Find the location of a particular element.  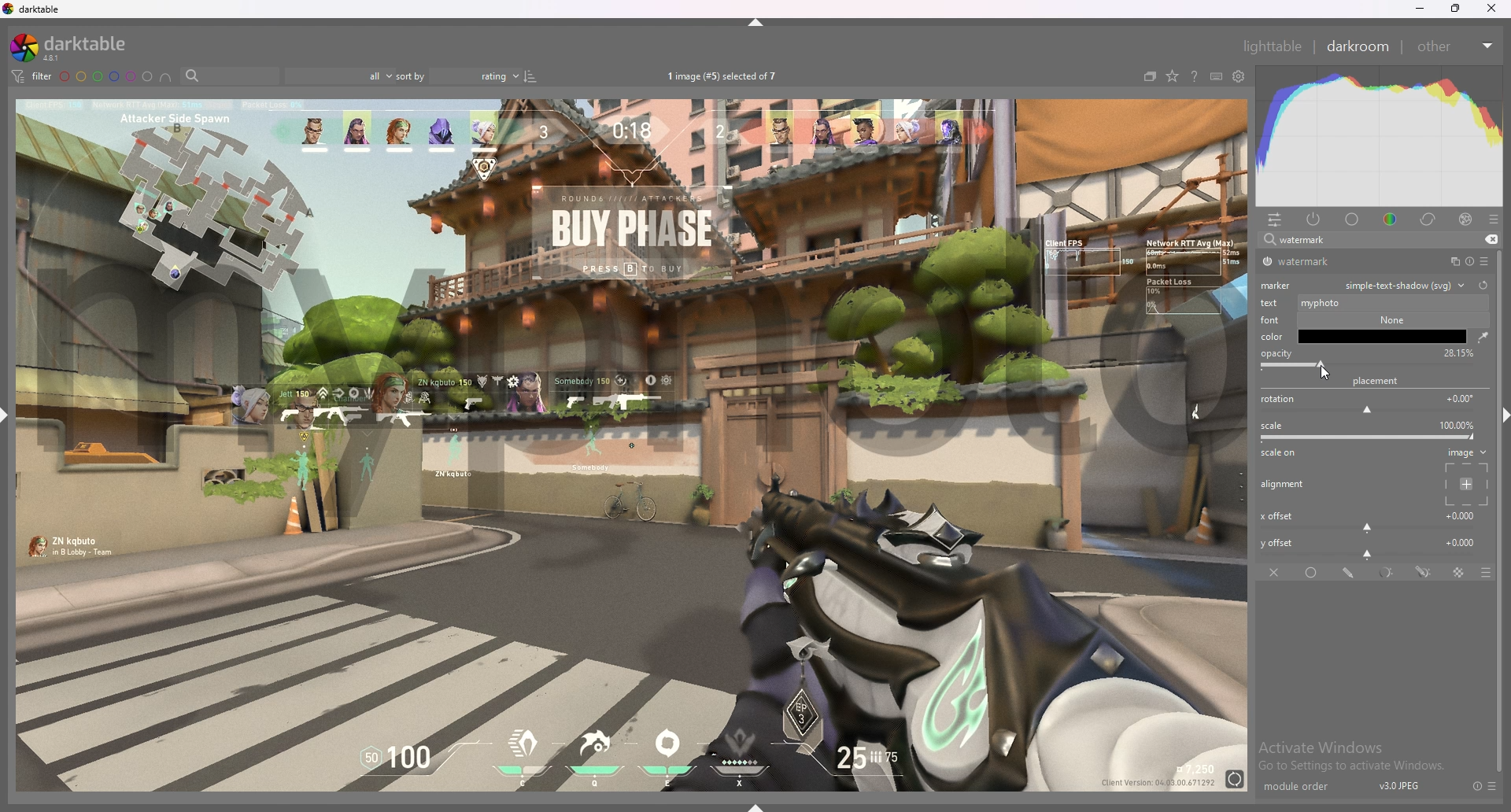

minimize is located at coordinates (1420, 9).